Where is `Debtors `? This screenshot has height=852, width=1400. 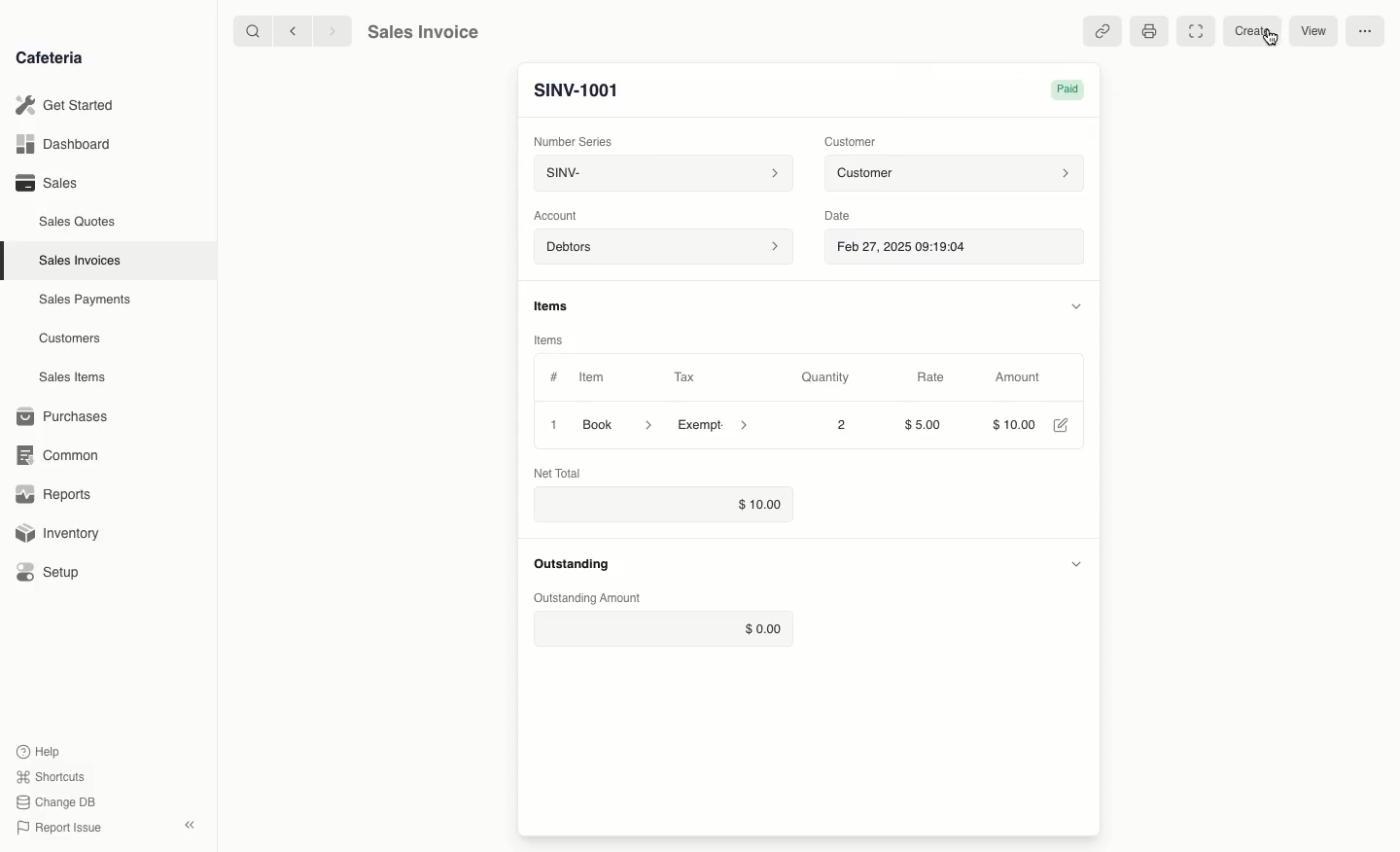
Debtors  is located at coordinates (663, 248).